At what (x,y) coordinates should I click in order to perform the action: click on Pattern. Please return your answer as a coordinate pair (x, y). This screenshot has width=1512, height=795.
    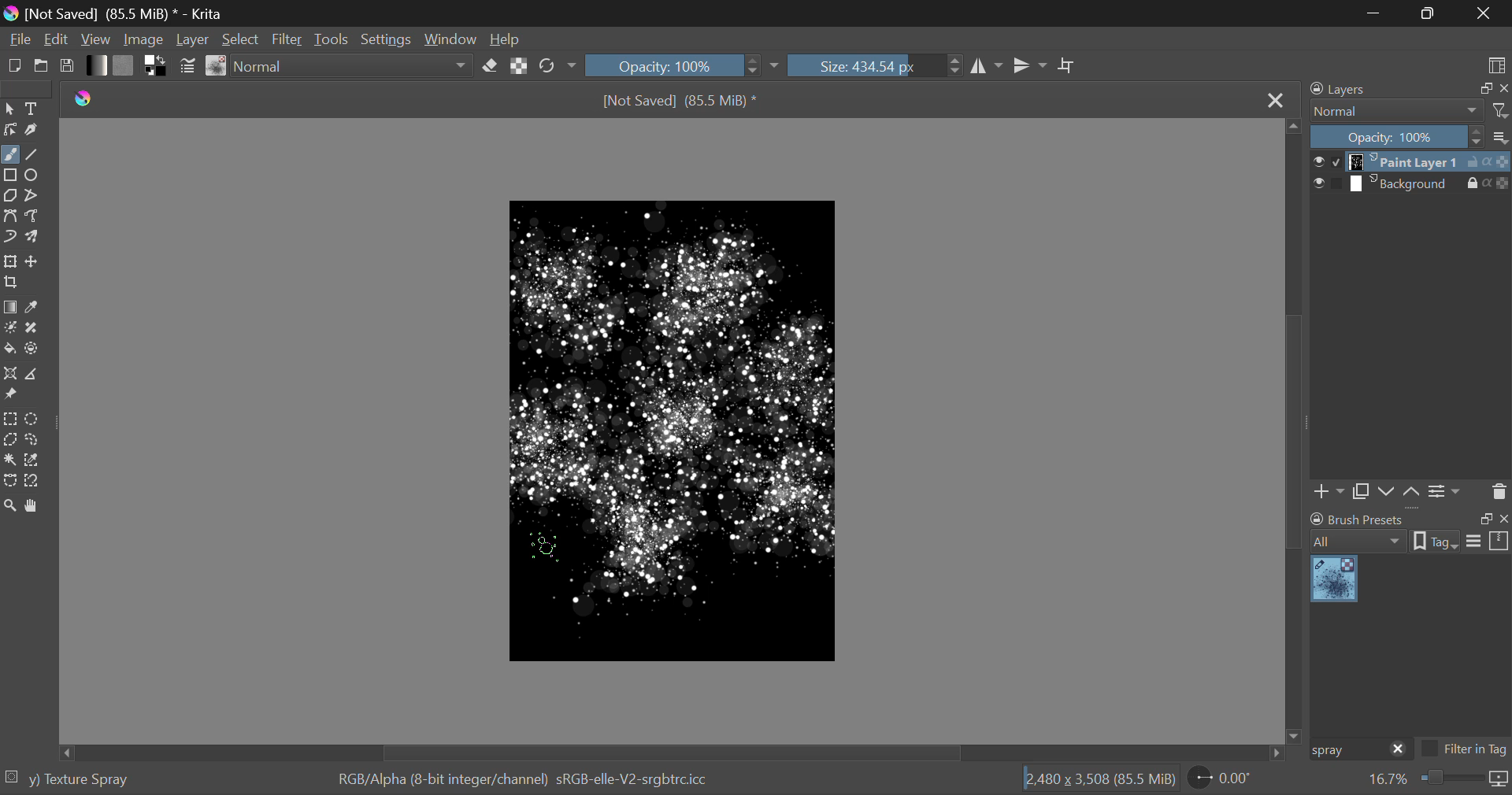
    Looking at the image, I should click on (124, 65).